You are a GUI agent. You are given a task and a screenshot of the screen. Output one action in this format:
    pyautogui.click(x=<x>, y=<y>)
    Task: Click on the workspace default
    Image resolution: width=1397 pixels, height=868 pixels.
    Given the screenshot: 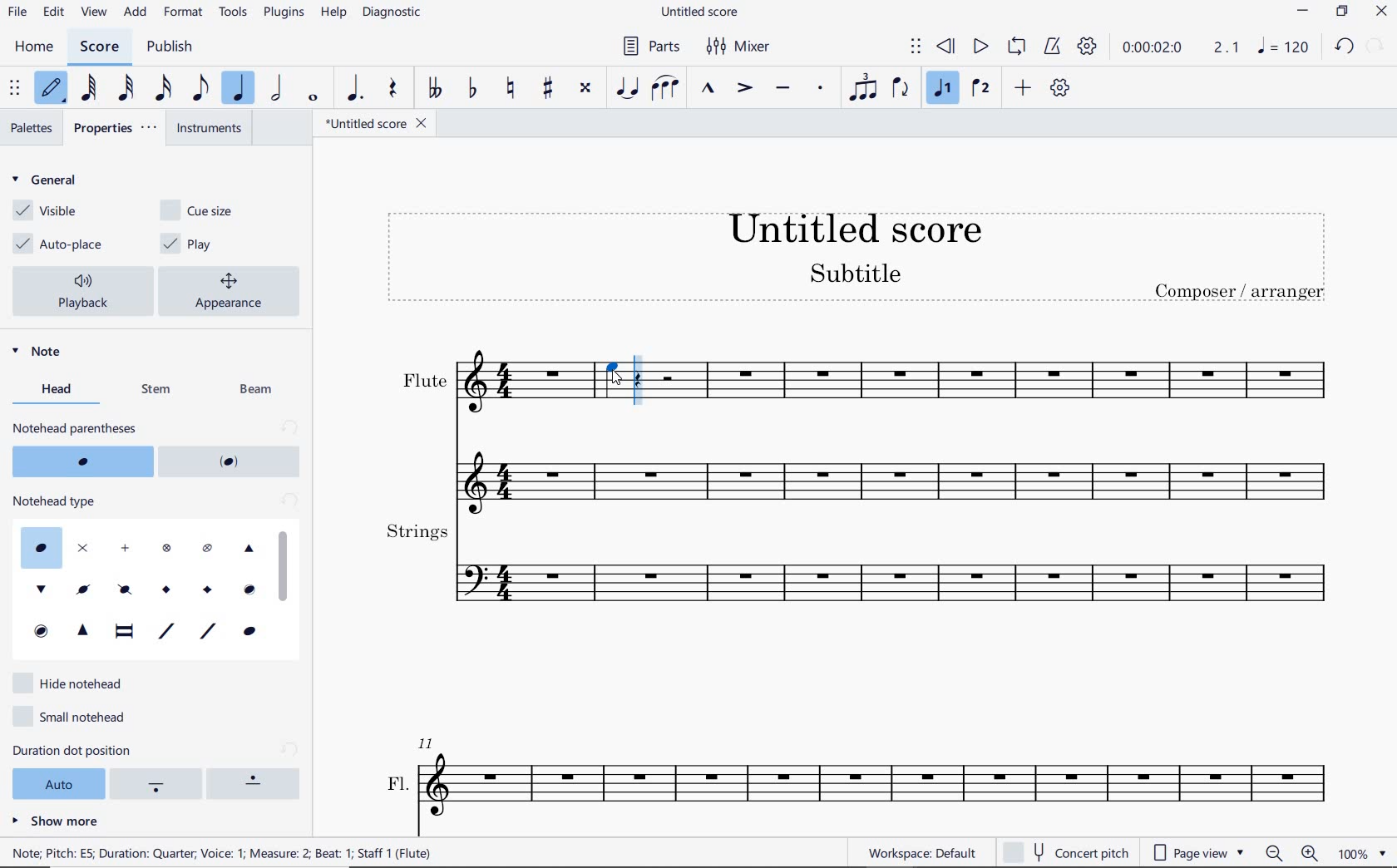 What is the action you would take?
    pyautogui.click(x=921, y=853)
    